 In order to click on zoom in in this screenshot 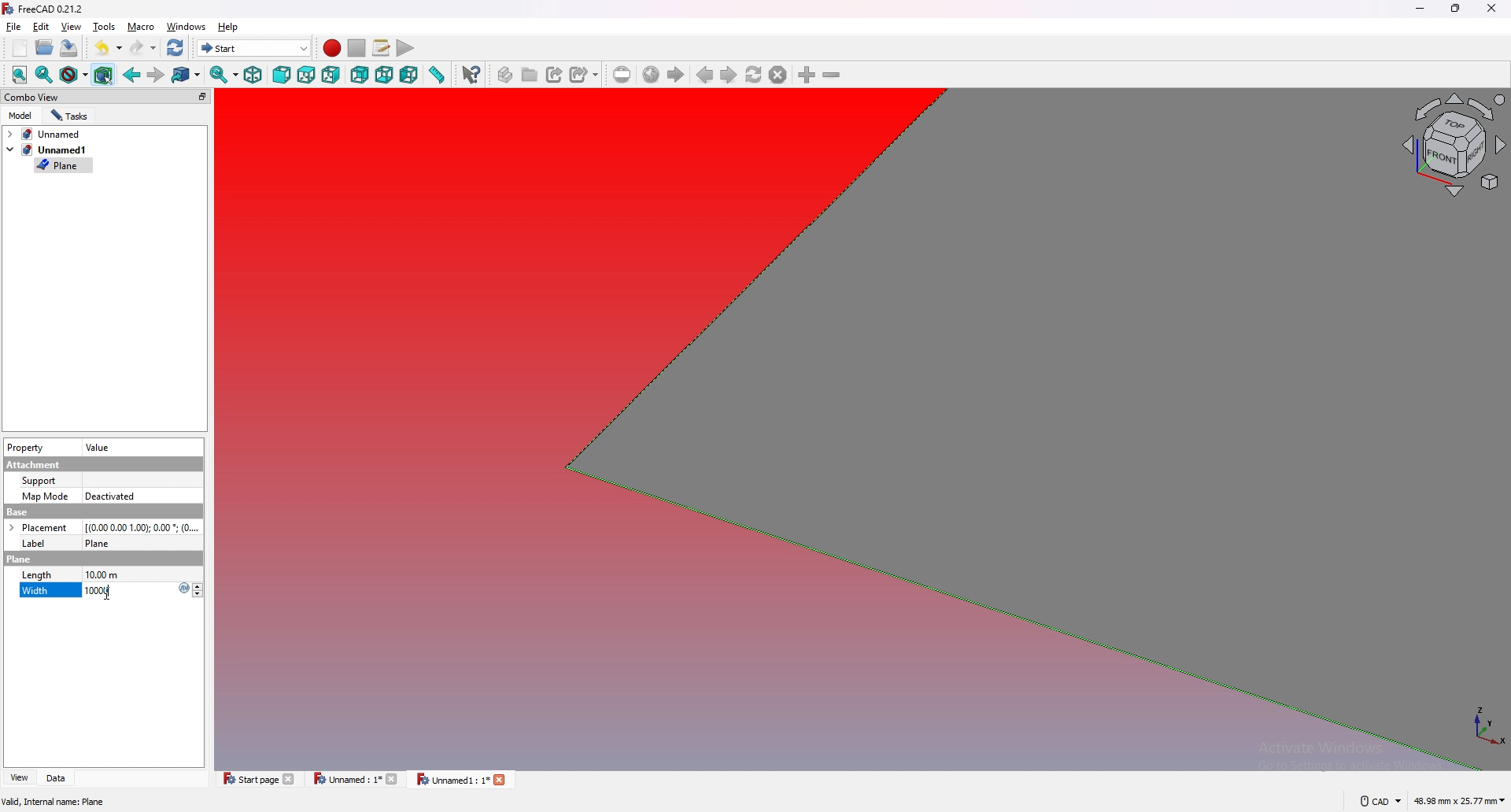, I will do `click(808, 75)`.